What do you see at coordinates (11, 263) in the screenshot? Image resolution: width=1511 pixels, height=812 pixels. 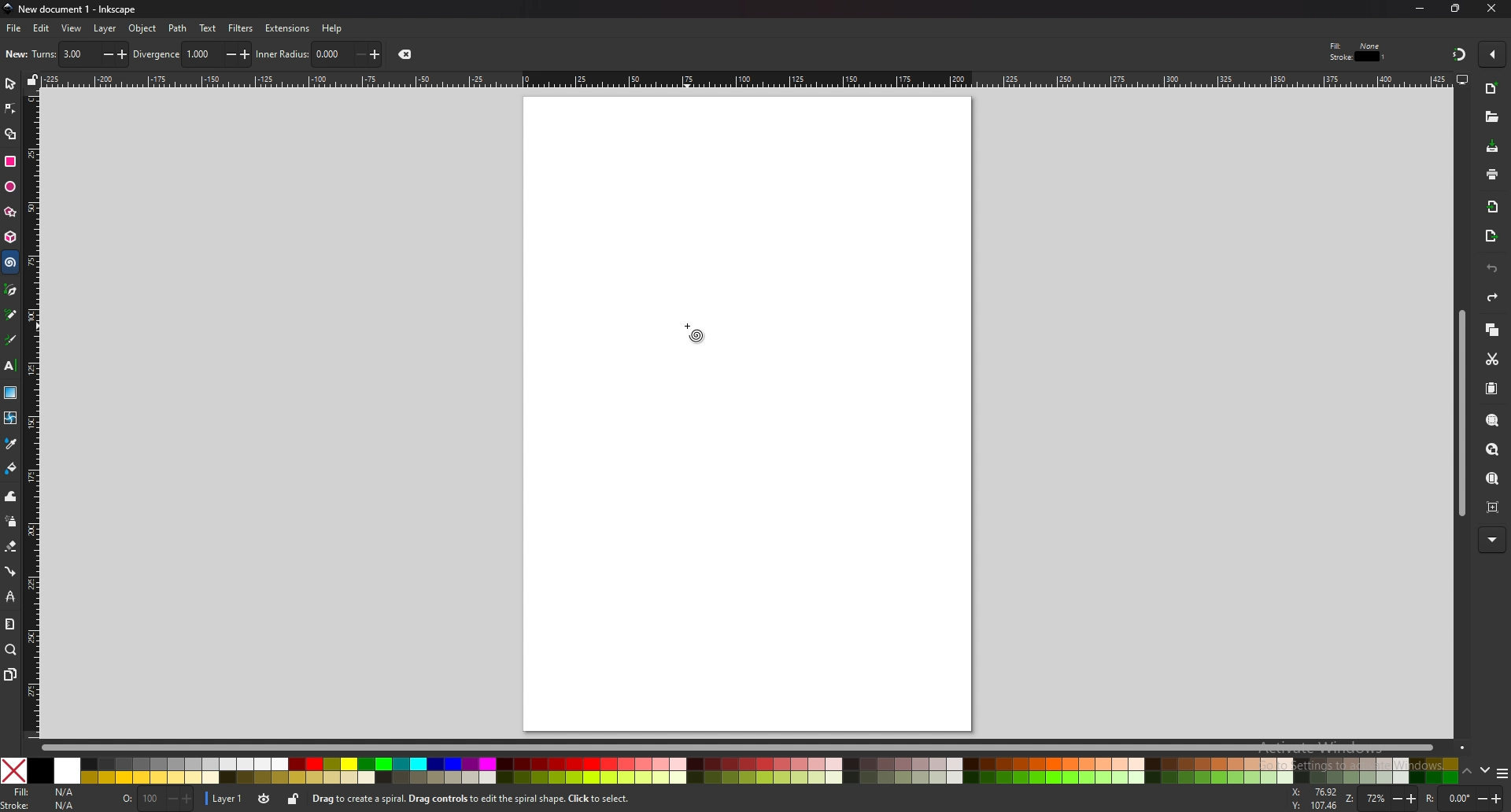 I see `spiral` at bounding box center [11, 263].